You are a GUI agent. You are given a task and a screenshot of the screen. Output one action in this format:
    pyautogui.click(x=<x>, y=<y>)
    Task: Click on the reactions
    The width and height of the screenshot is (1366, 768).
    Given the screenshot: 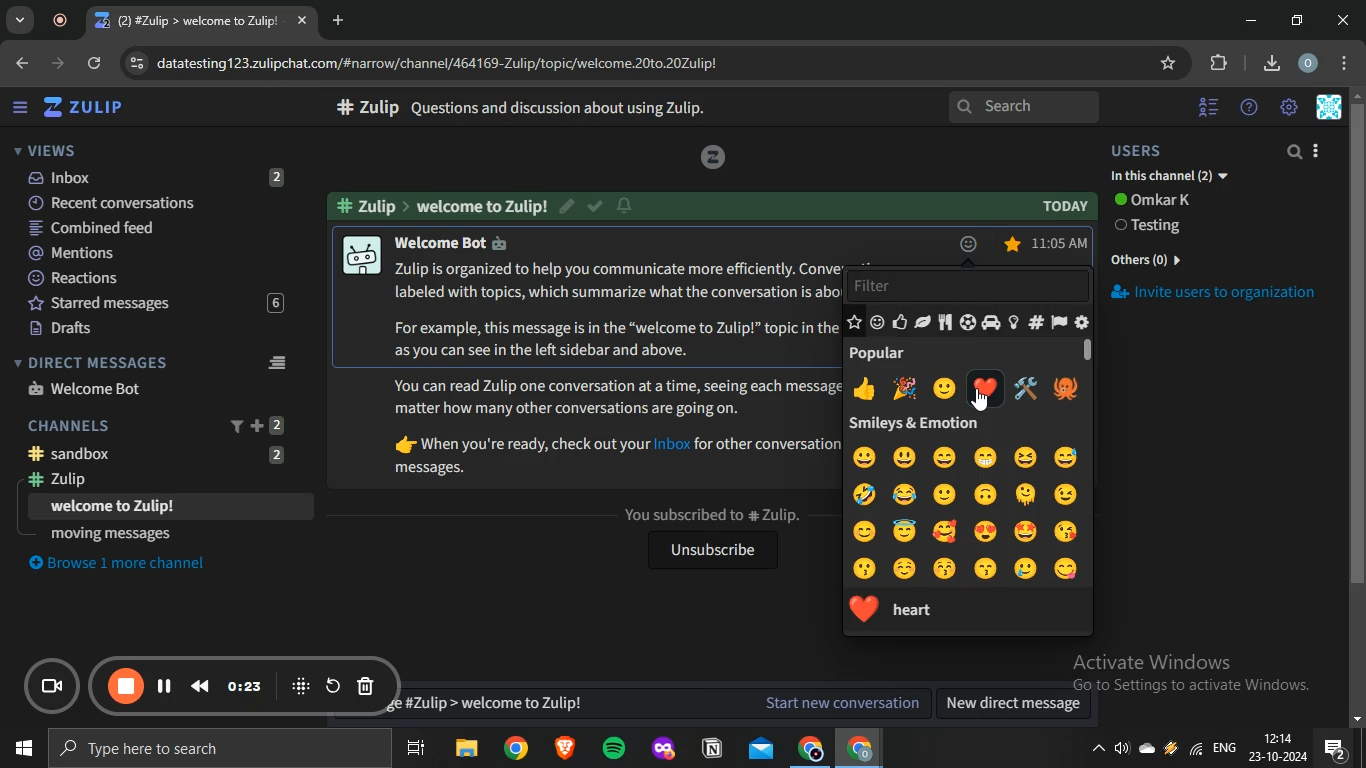 What is the action you would take?
    pyautogui.click(x=154, y=279)
    